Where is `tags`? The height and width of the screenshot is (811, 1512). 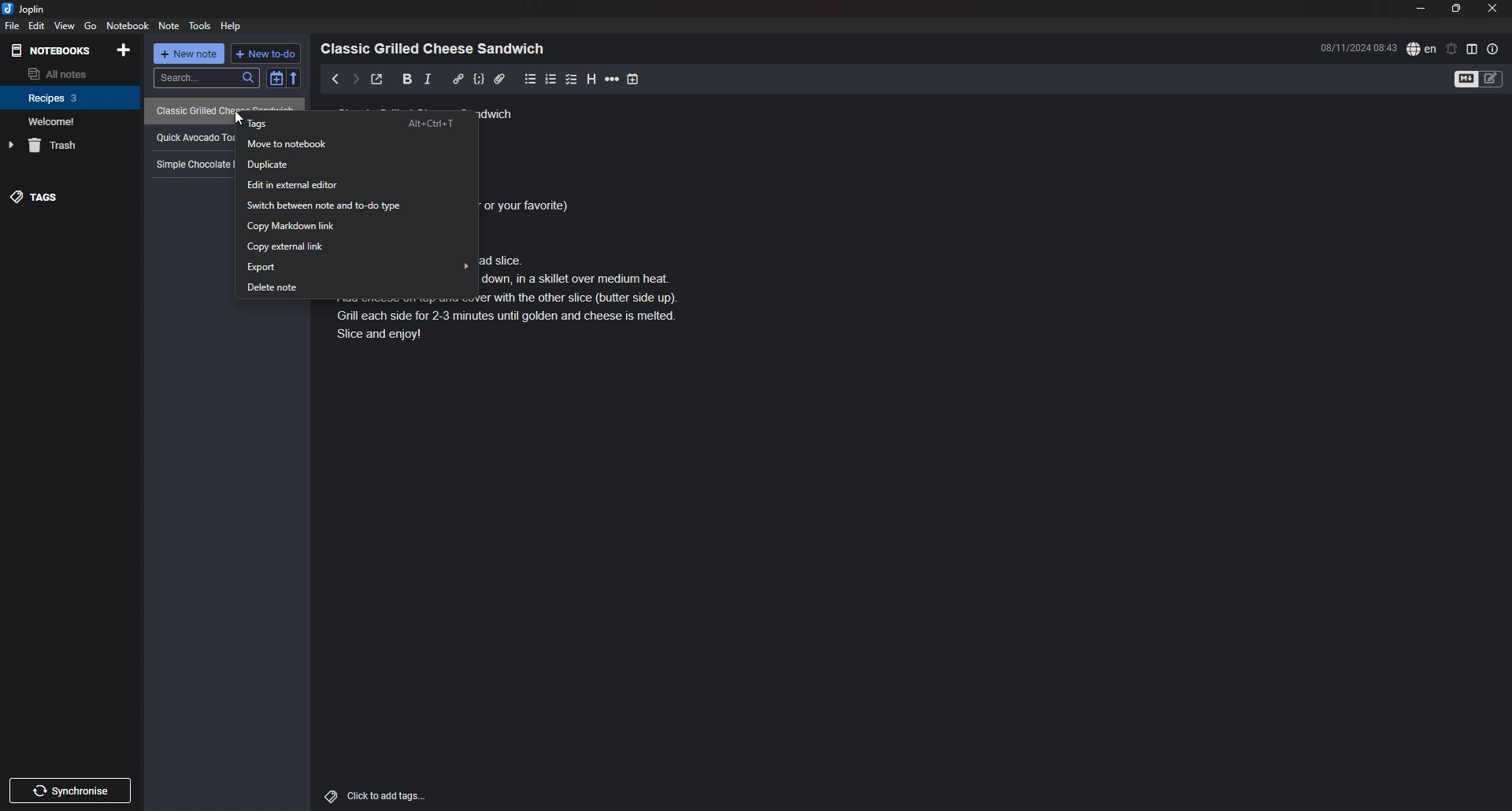
tags is located at coordinates (69, 198).